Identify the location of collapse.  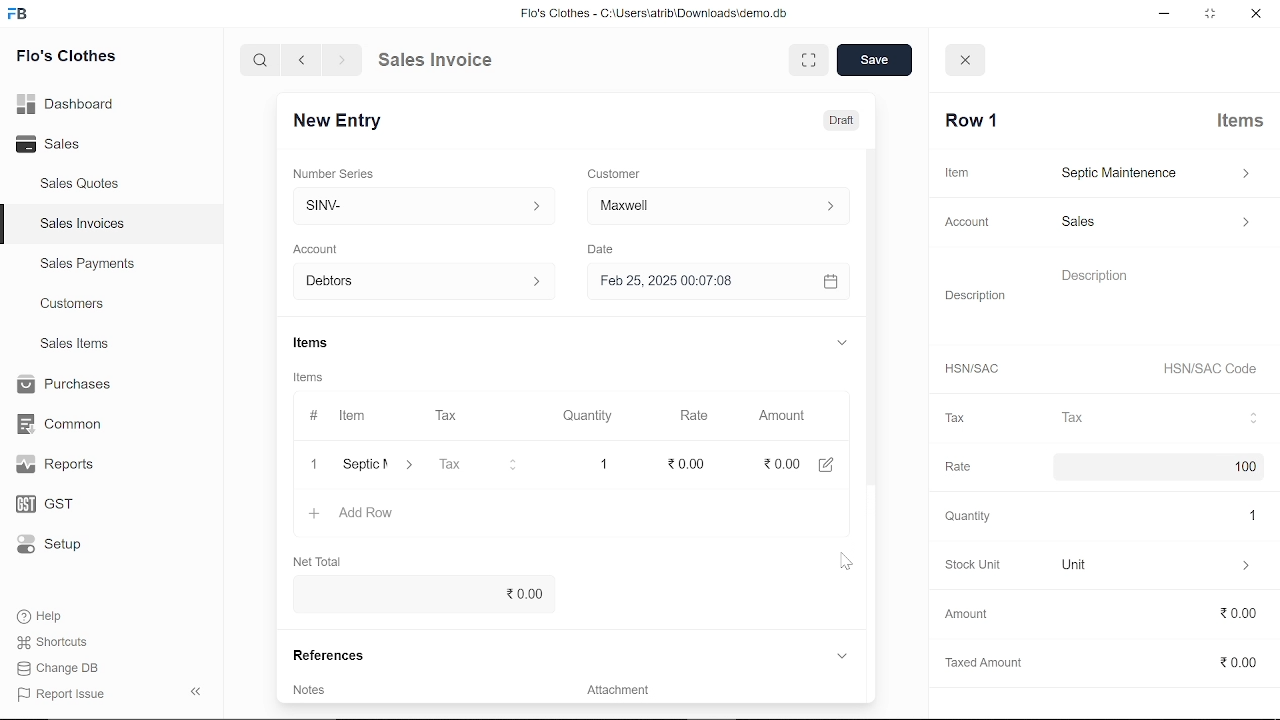
(198, 693).